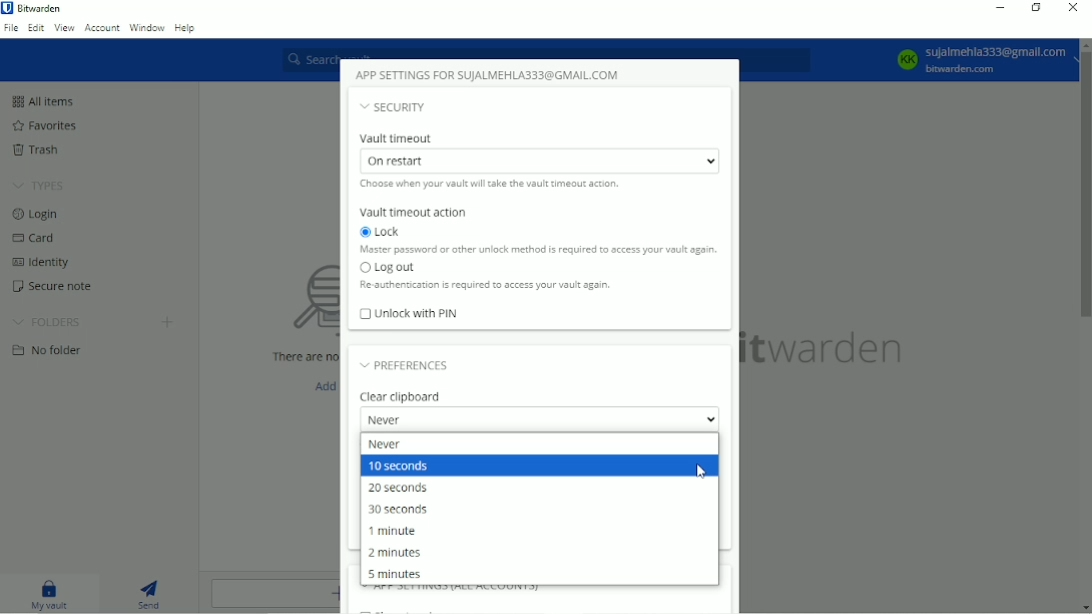  What do you see at coordinates (399, 488) in the screenshot?
I see `20 seconds` at bounding box center [399, 488].